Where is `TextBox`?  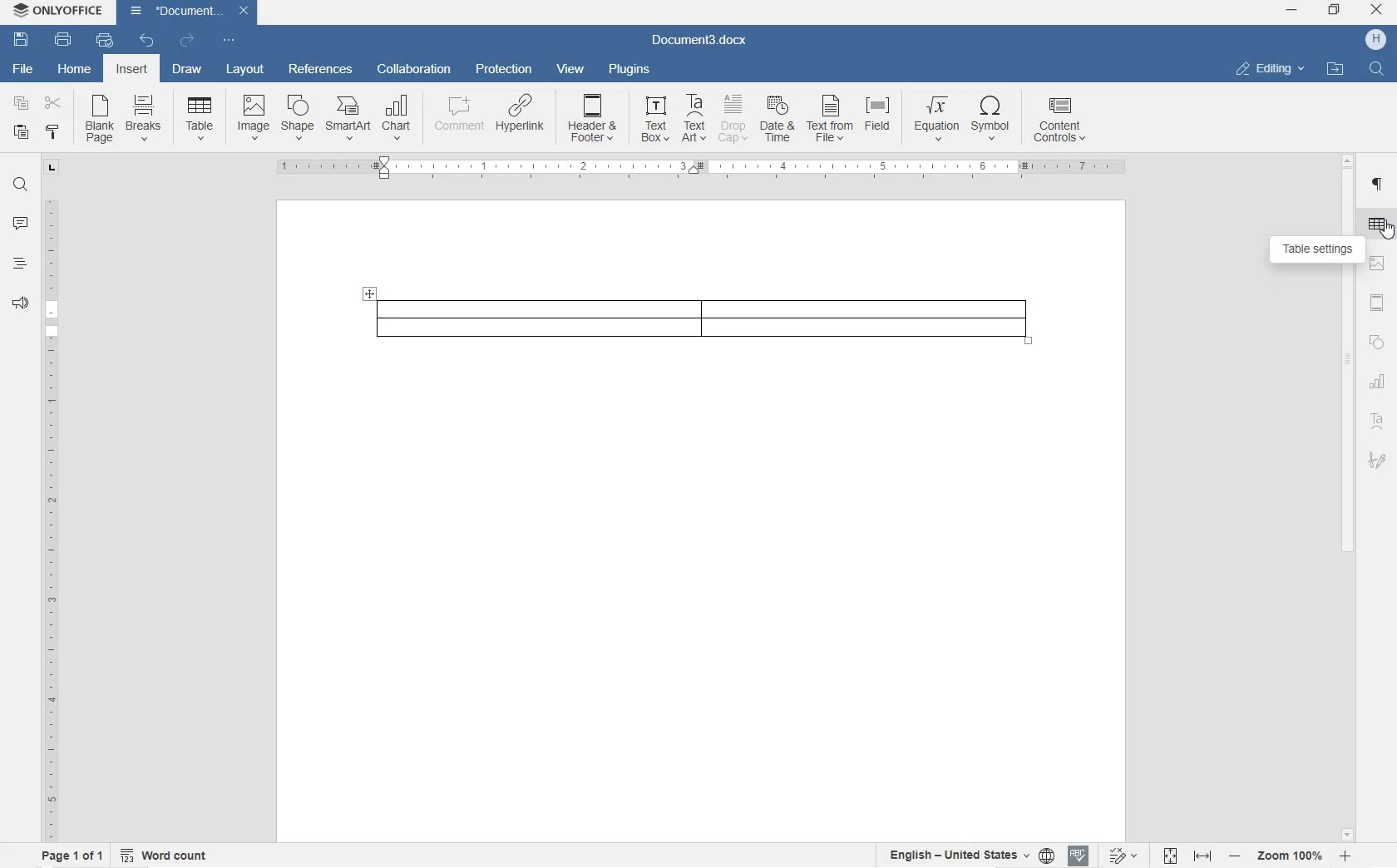 TextBox is located at coordinates (650, 119).